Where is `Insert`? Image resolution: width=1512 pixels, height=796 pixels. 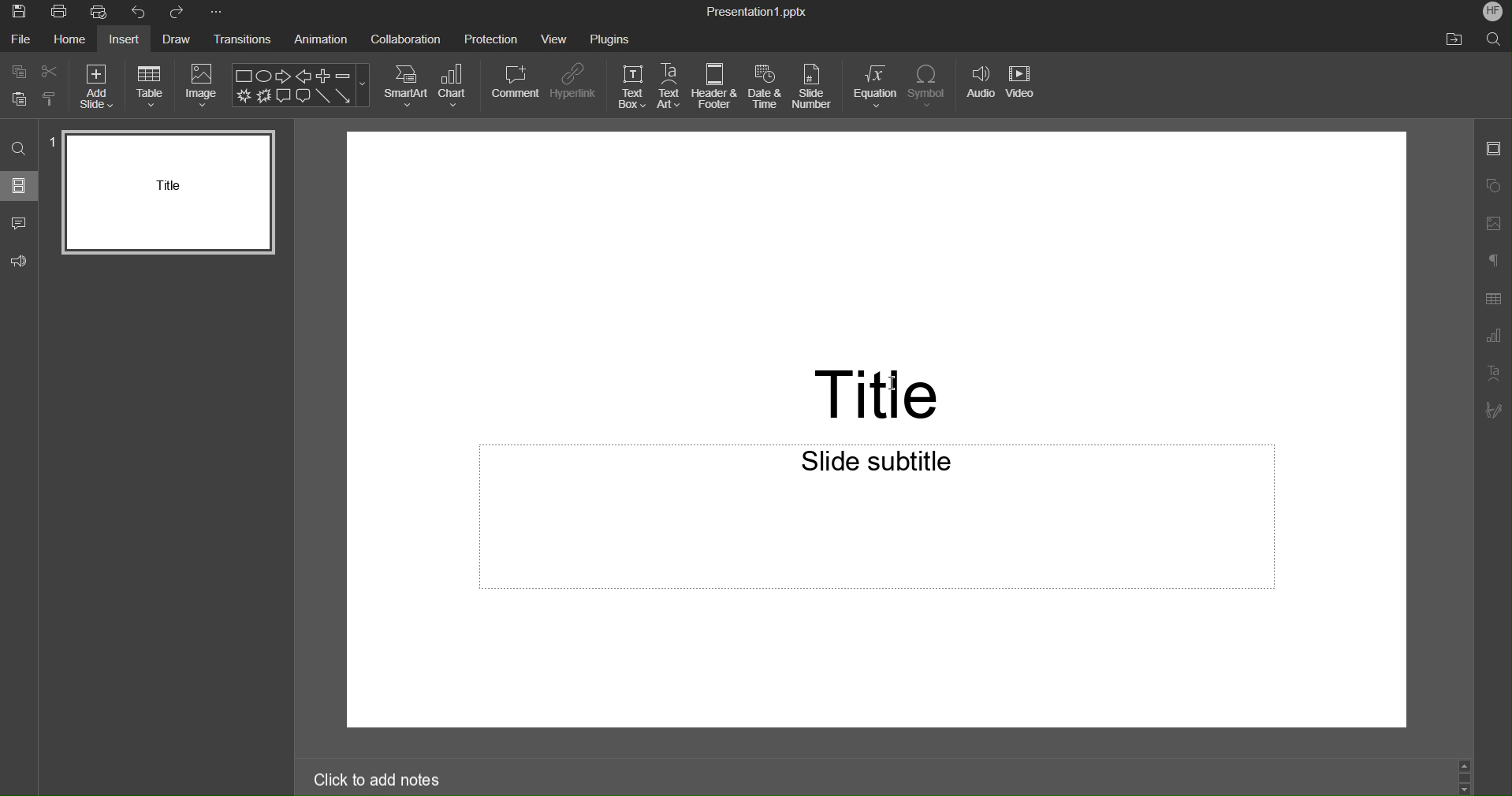 Insert is located at coordinates (122, 40).